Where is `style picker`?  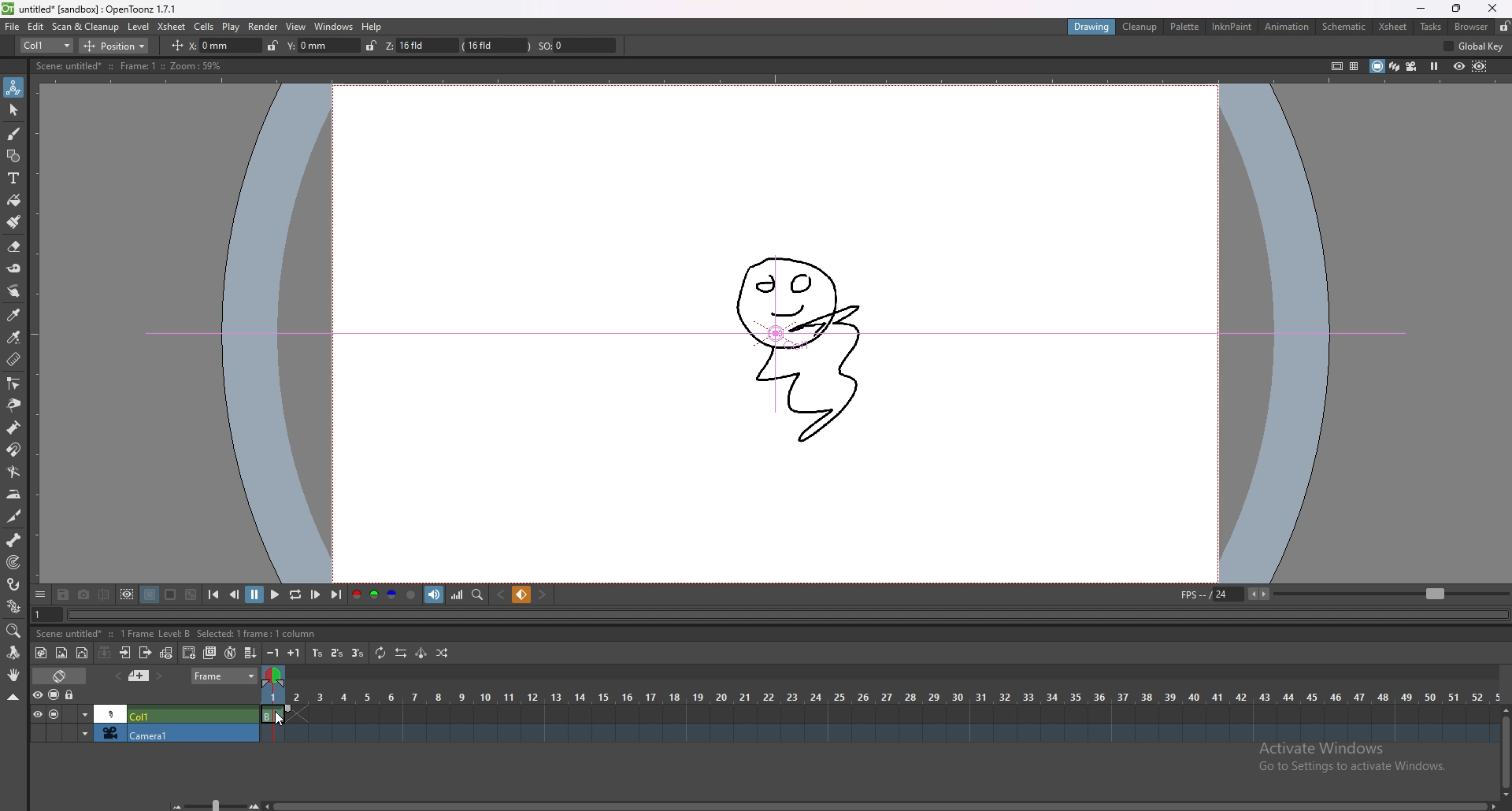
style picker is located at coordinates (14, 314).